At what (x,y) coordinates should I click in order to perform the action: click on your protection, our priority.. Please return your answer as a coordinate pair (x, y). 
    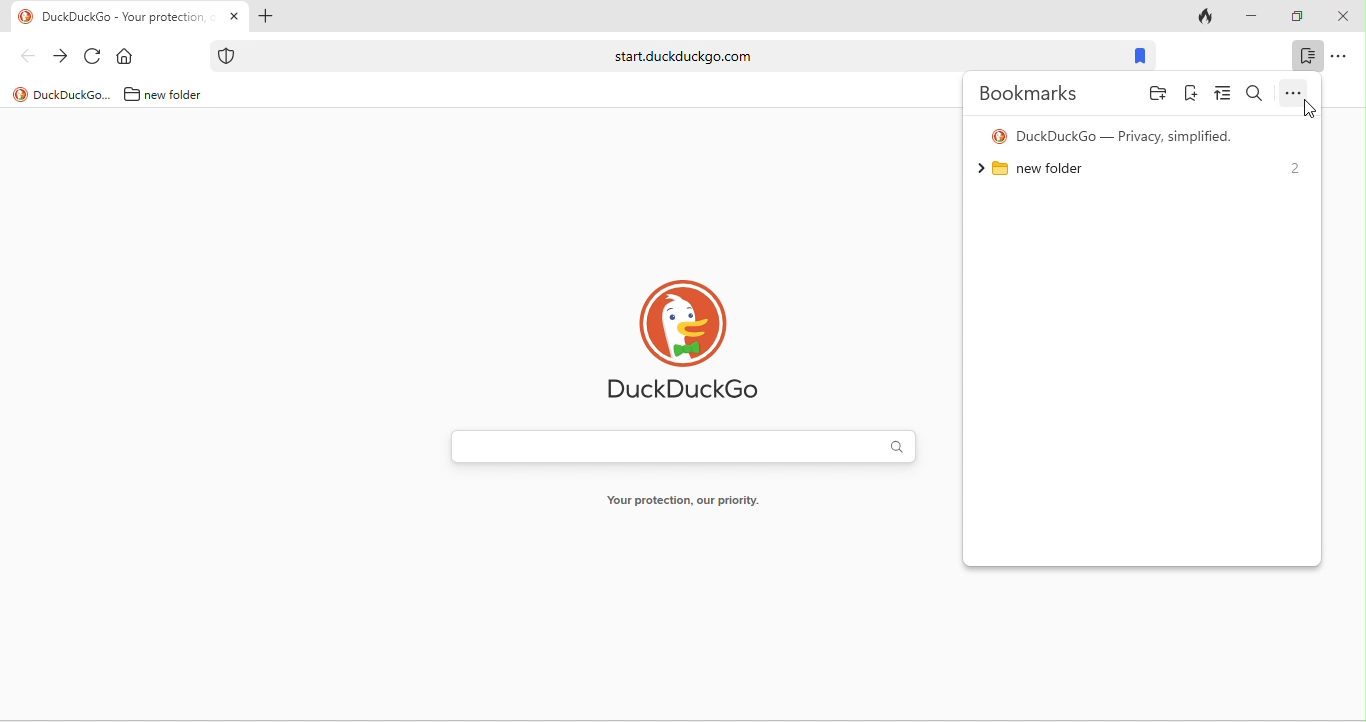
    Looking at the image, I should click on (683, 500).